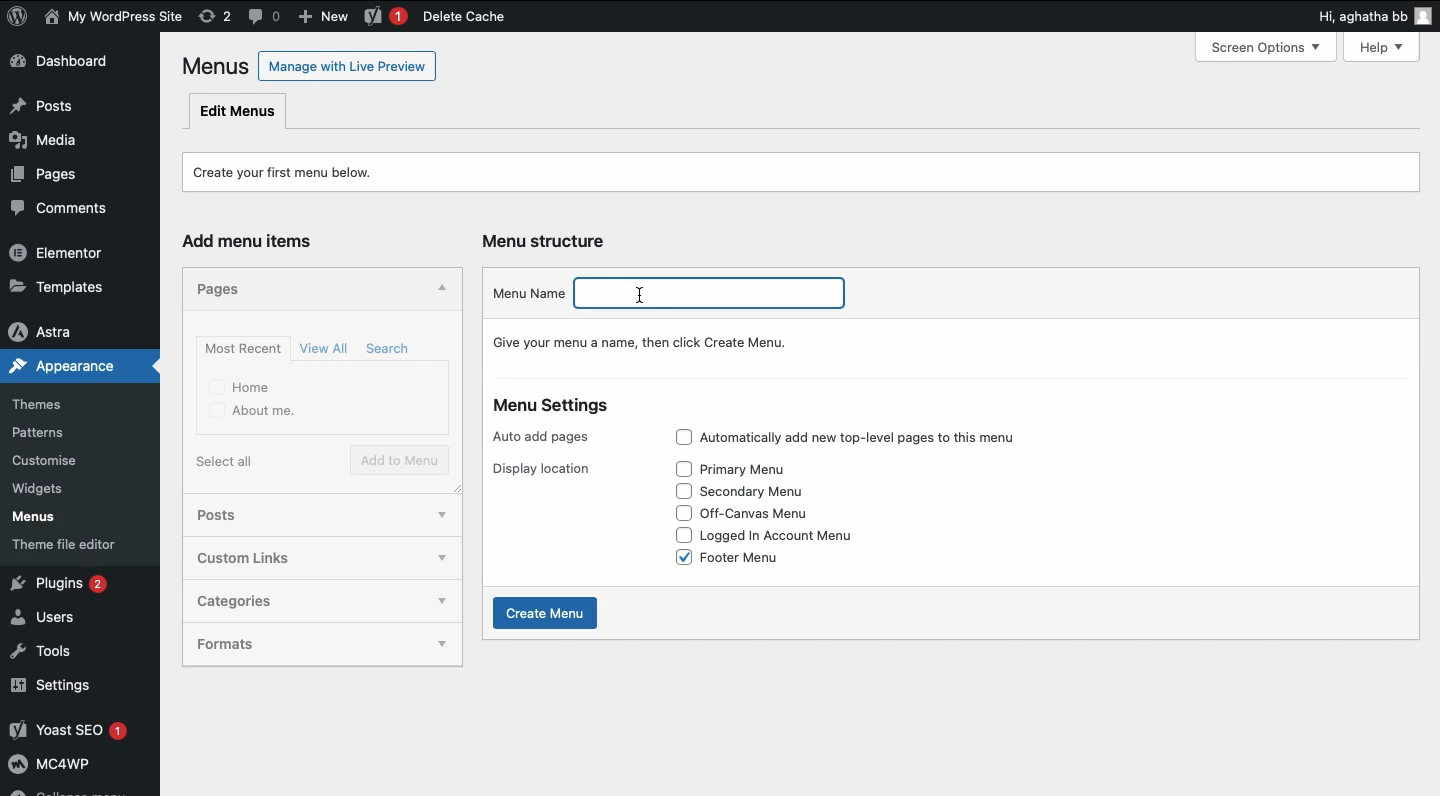  What do you see at coordinates (752, 471) in the screenshot?
I see `Primary menu` at bounding box center [752, 471].